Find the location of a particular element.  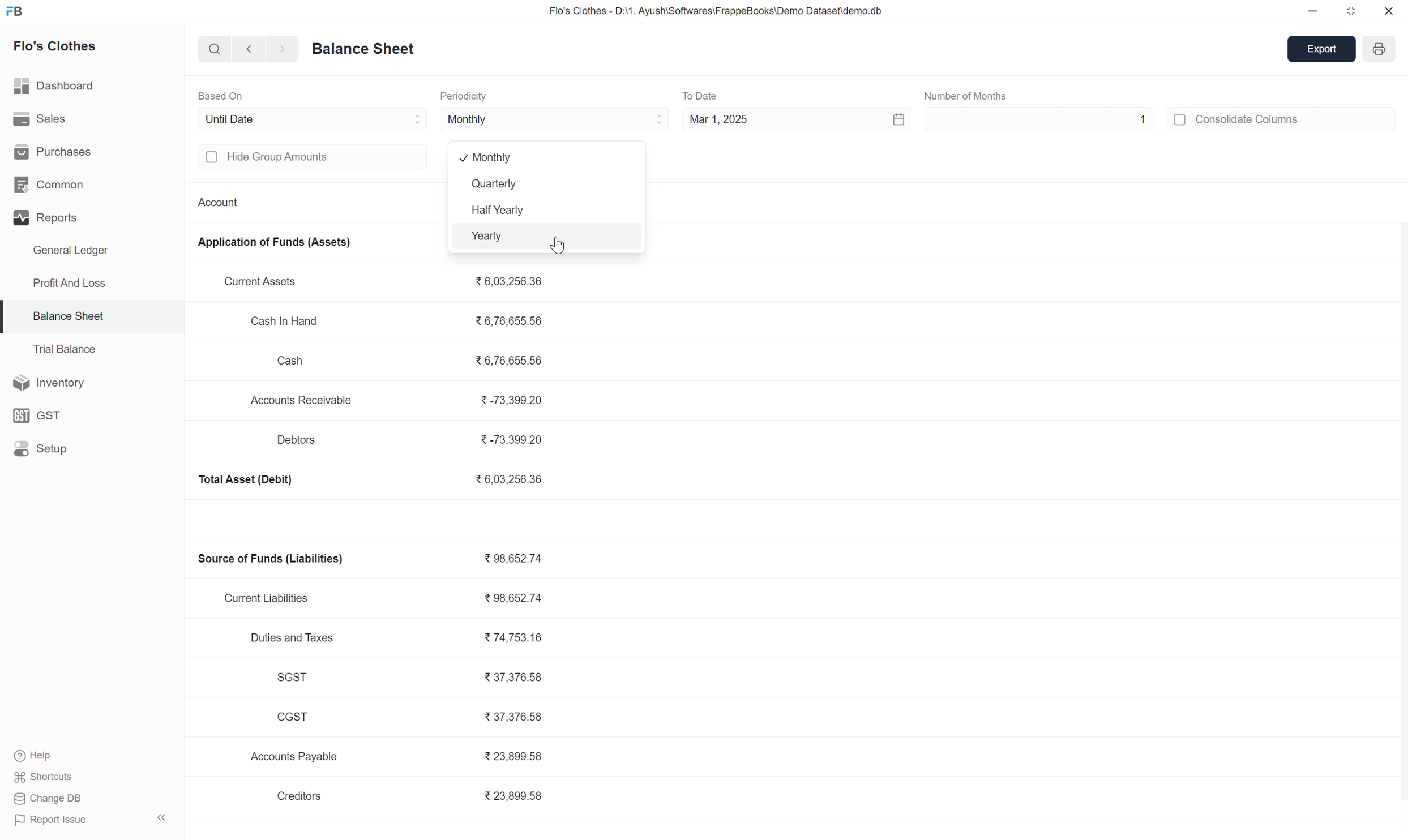

6,76,655.56 is located at coordinates (515, 362).